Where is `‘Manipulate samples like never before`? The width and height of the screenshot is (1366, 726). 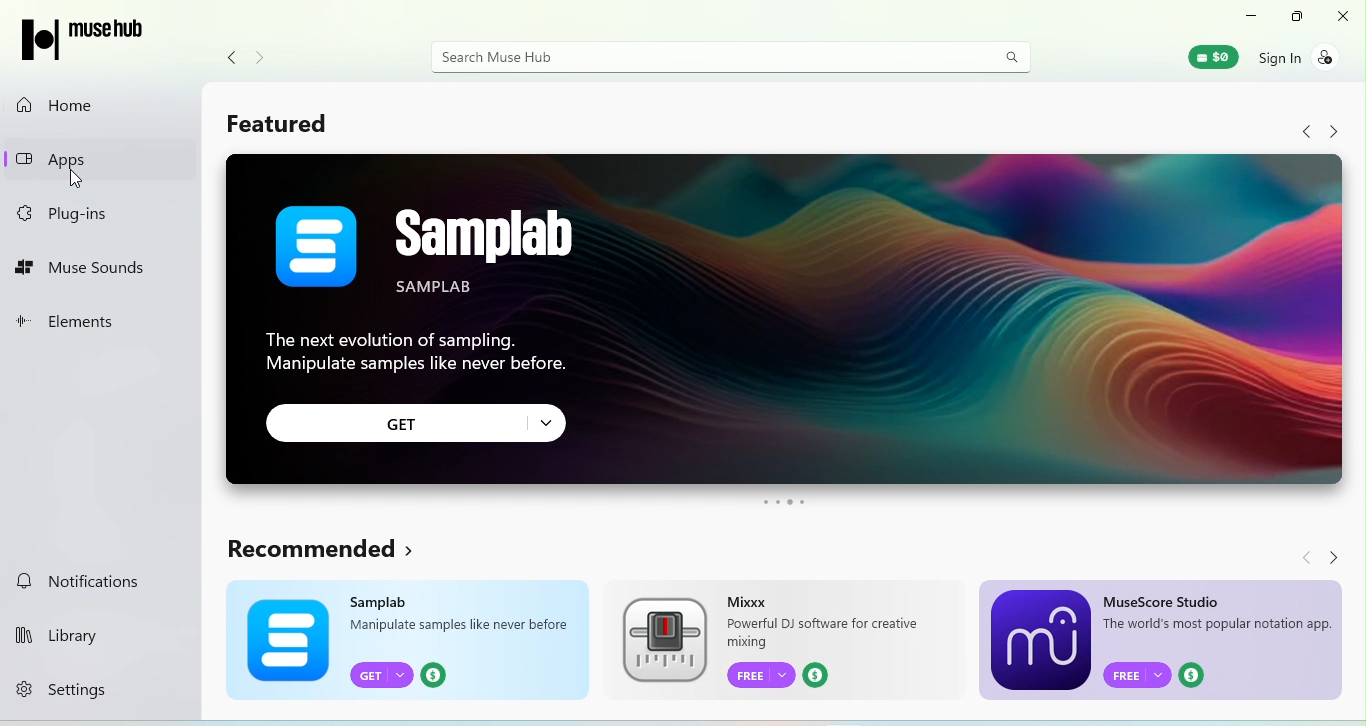
‘Manipulate samples like never before is located at coordinates (461, 626).